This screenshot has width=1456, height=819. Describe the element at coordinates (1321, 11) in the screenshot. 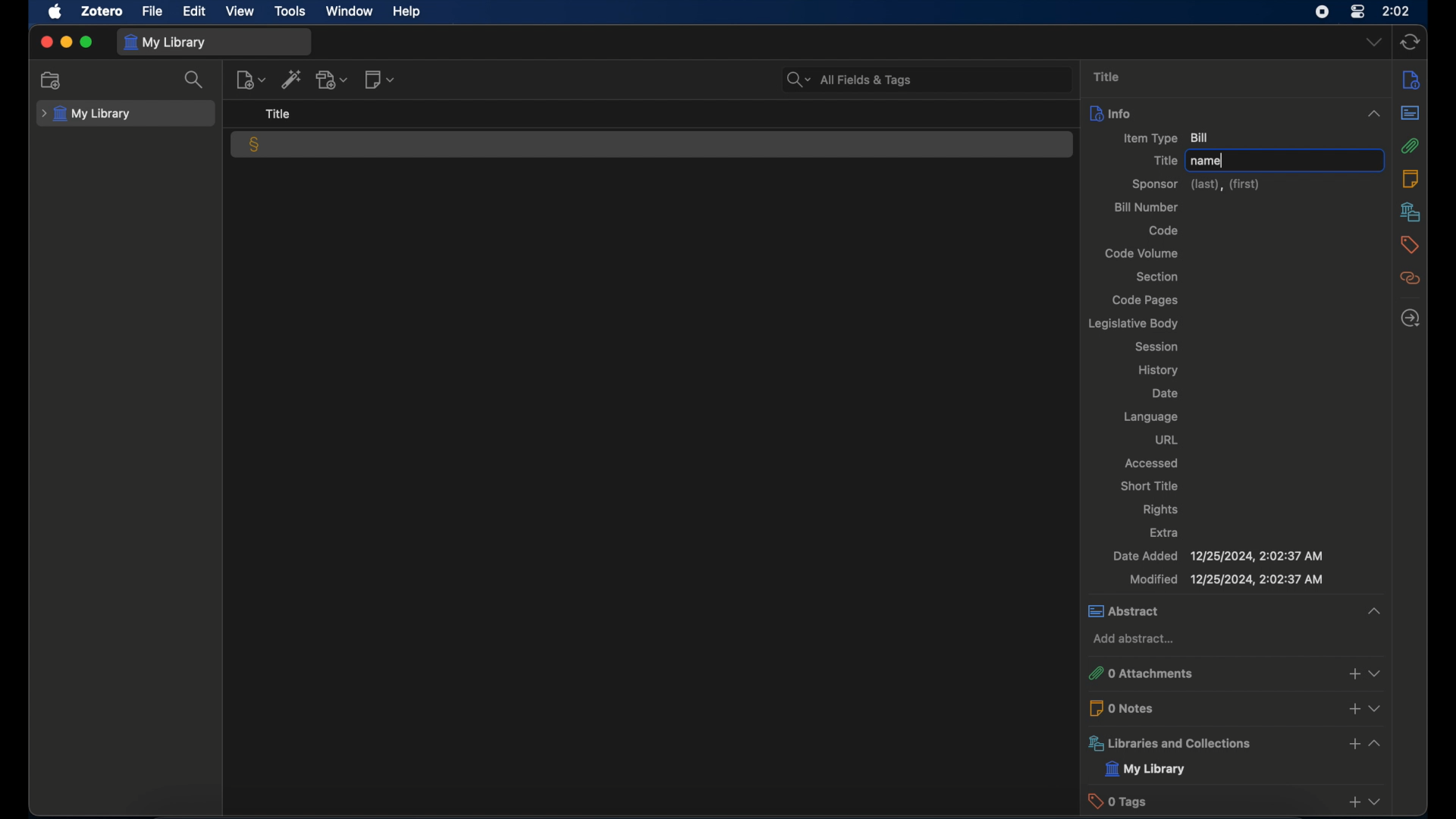

I see `screen recorder` at that location.